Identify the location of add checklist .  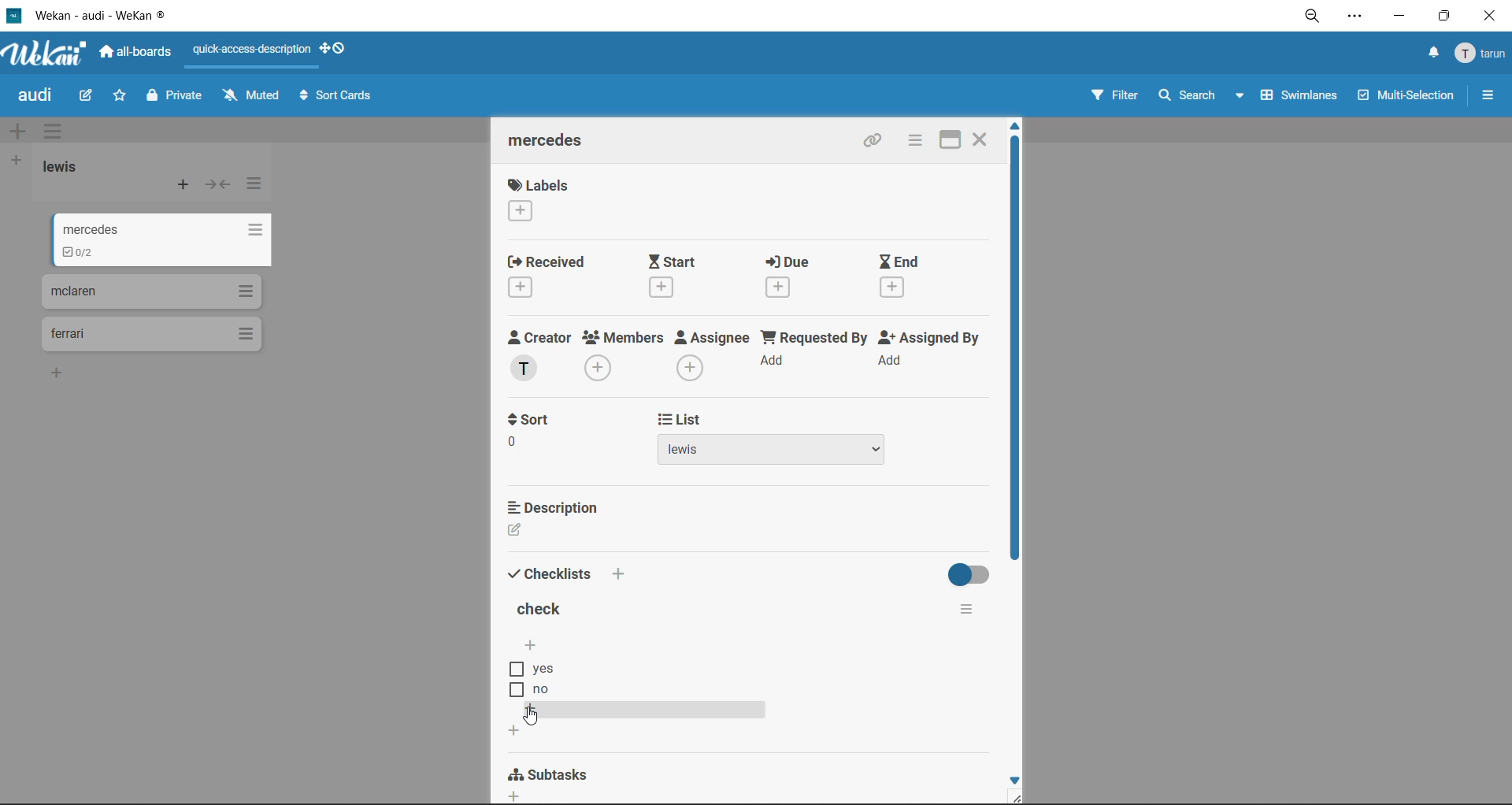
(534, 644).